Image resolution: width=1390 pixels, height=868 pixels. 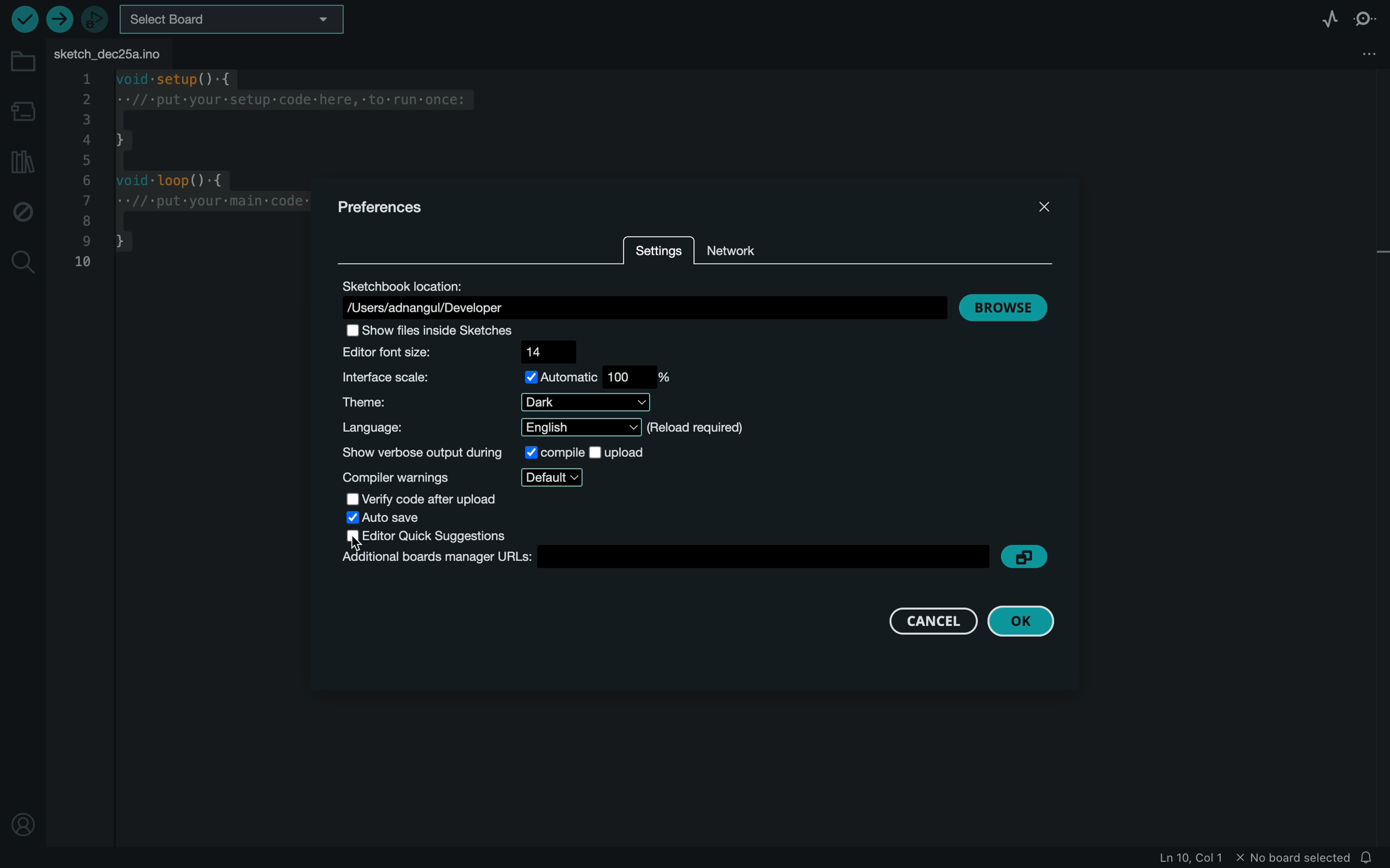 What do you see at coordinates (389, 207) in the screenshot?
I see `prefernces` at bounding box center [389, 207].